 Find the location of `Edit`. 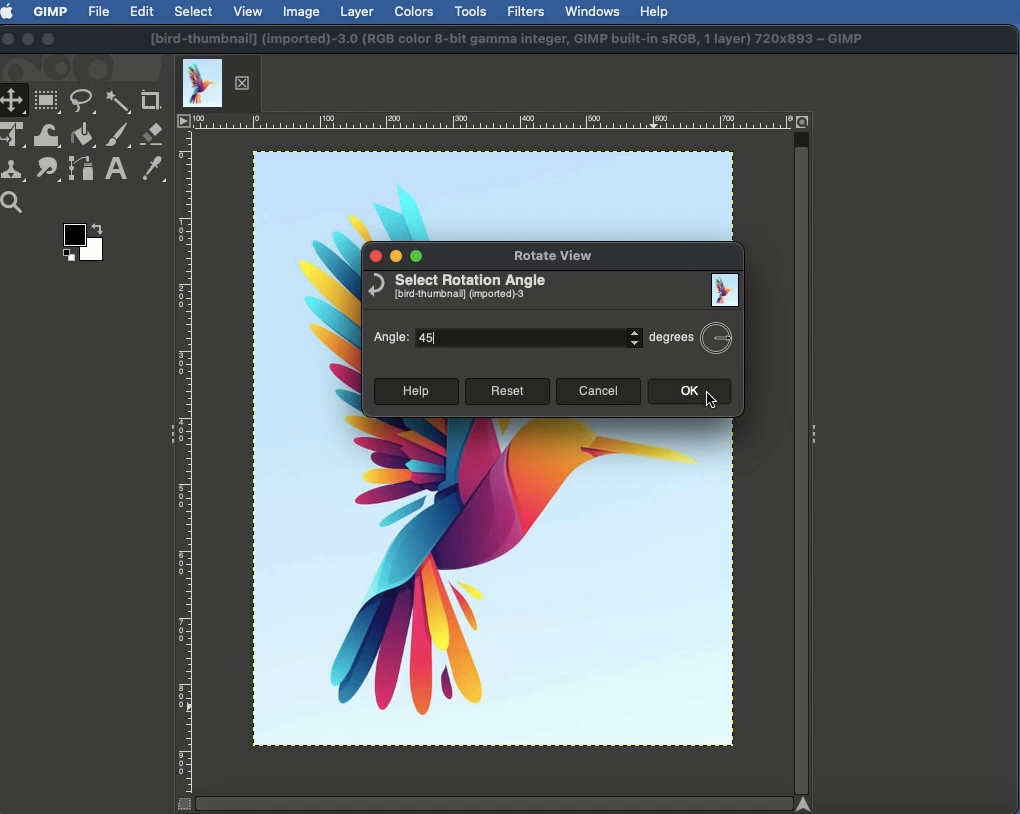

Edit is located at coordinates (142, 13).